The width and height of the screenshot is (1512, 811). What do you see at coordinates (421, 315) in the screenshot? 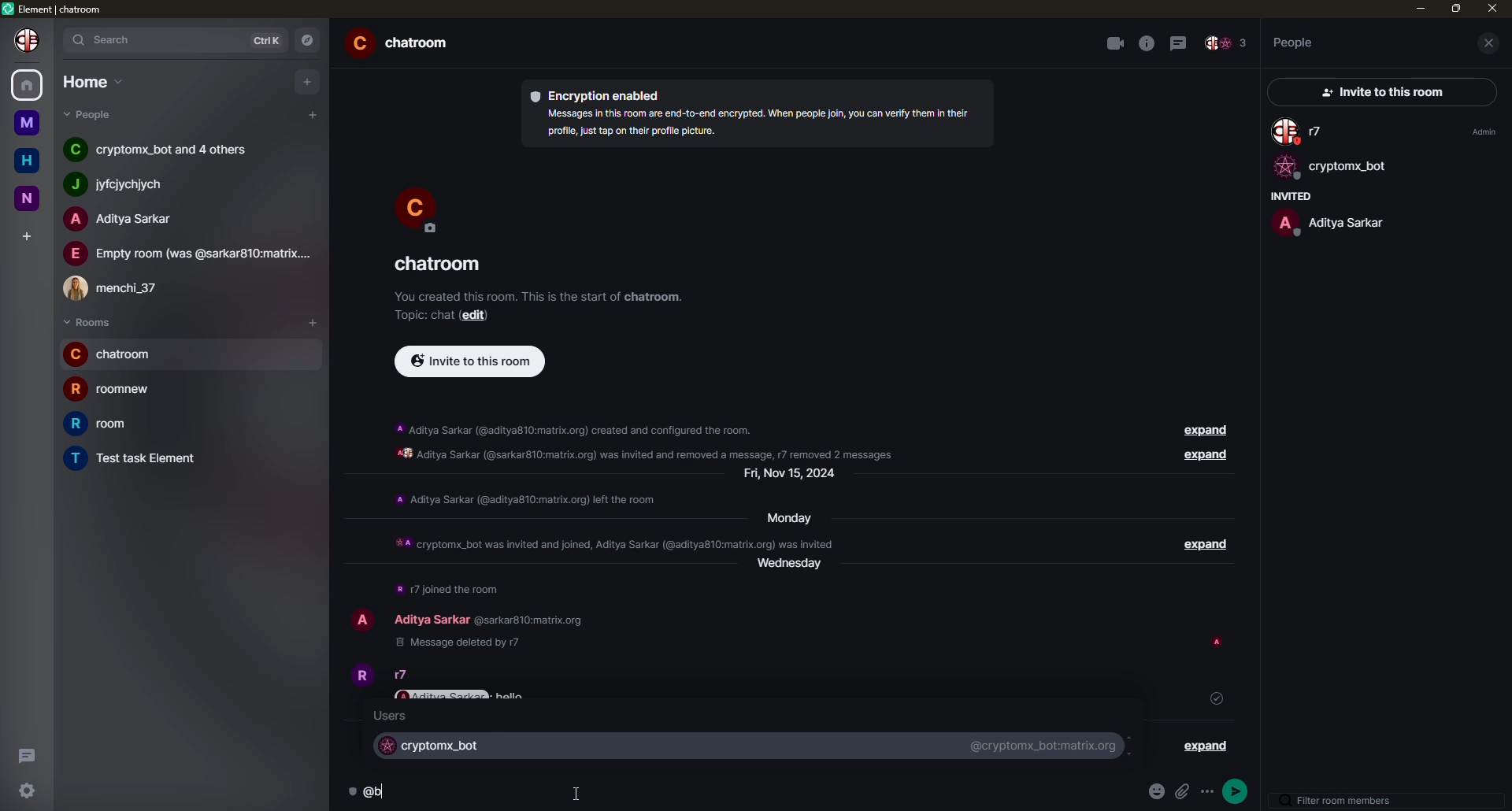
I see `topic` at bounding box center [421, 315].